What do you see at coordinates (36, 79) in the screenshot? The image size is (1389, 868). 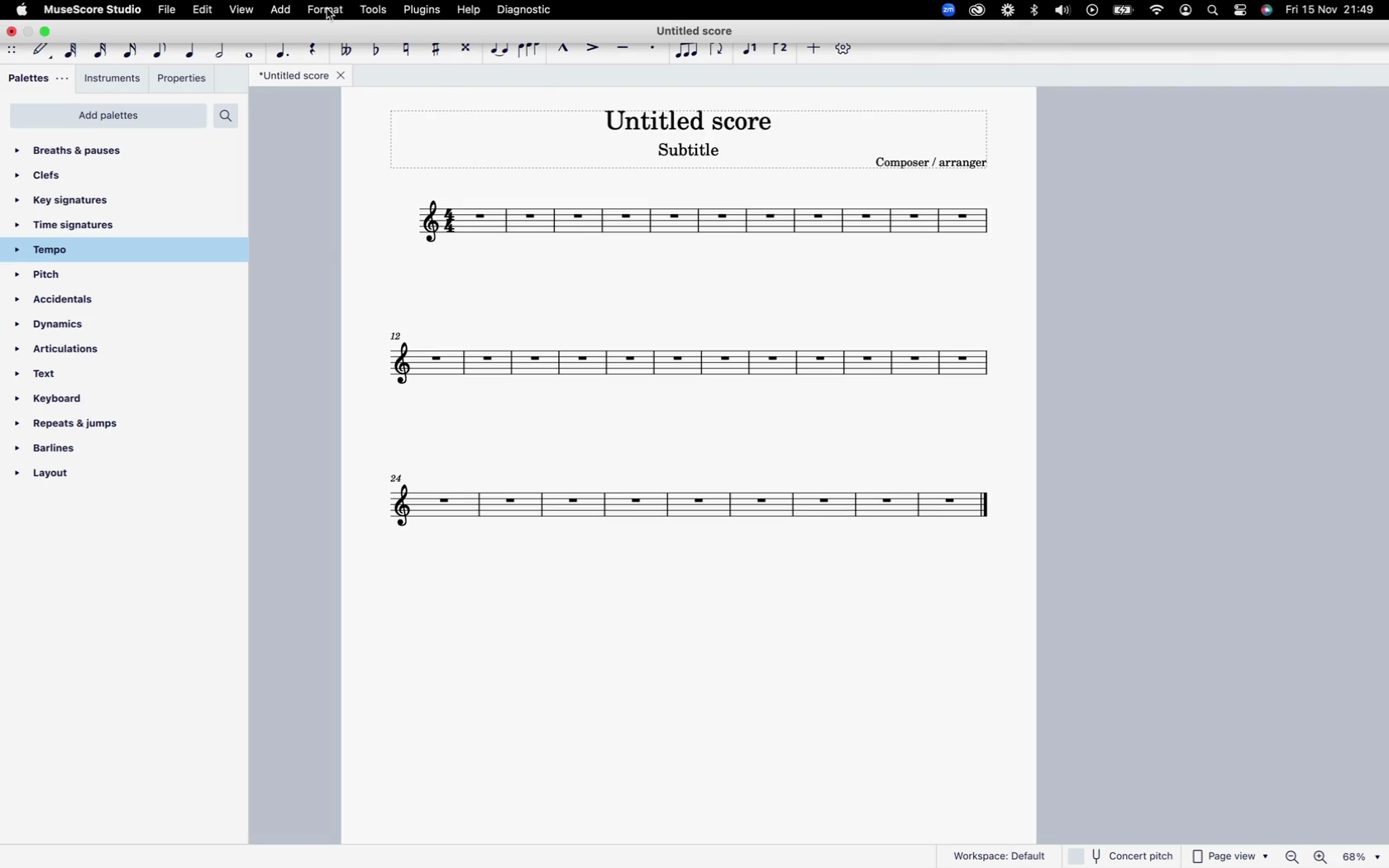 I see `palletes` at bounding box center [36, 79].